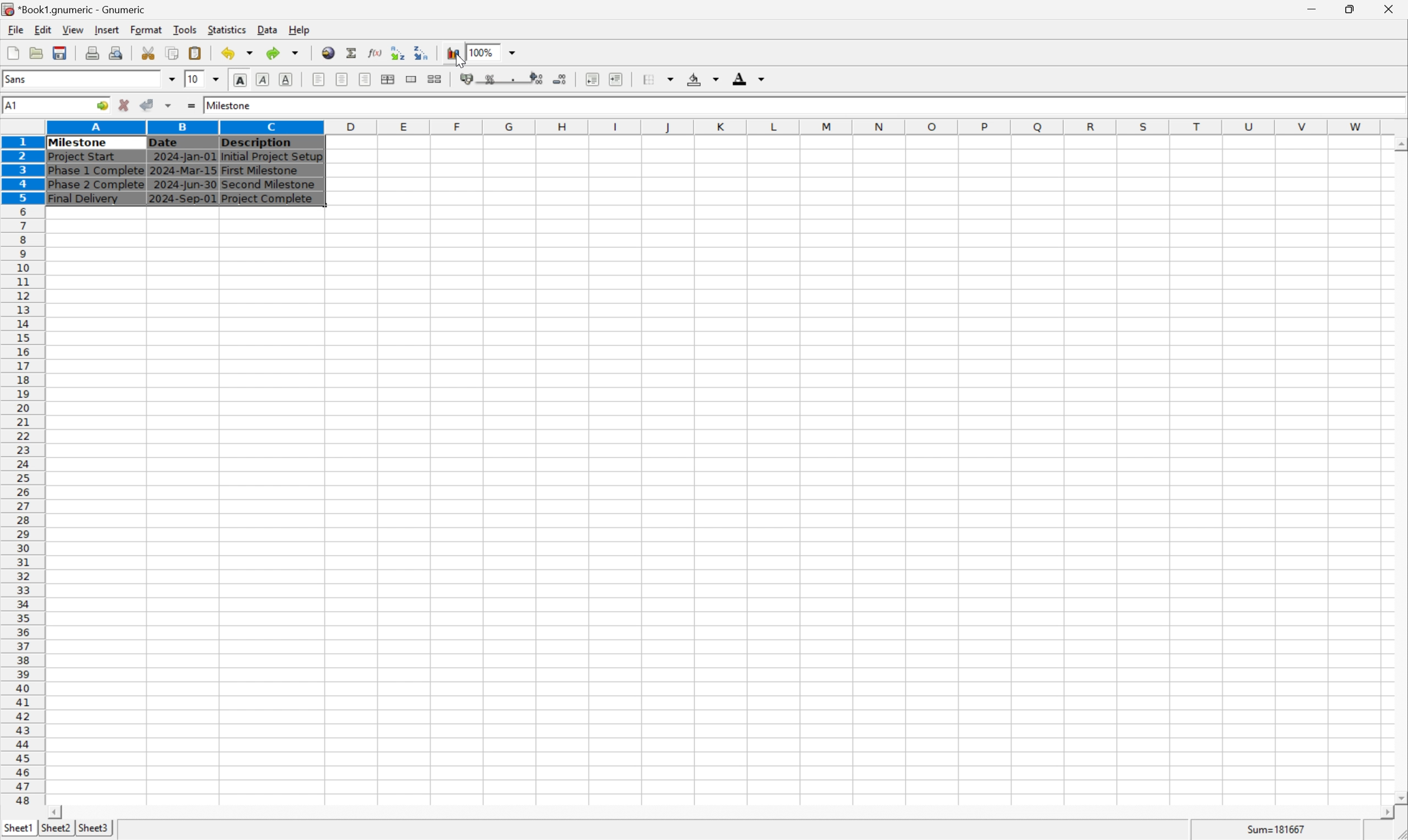 The width and height of the screenshot is (1408, 840). I want to click on increase indent, so click(619, 79).